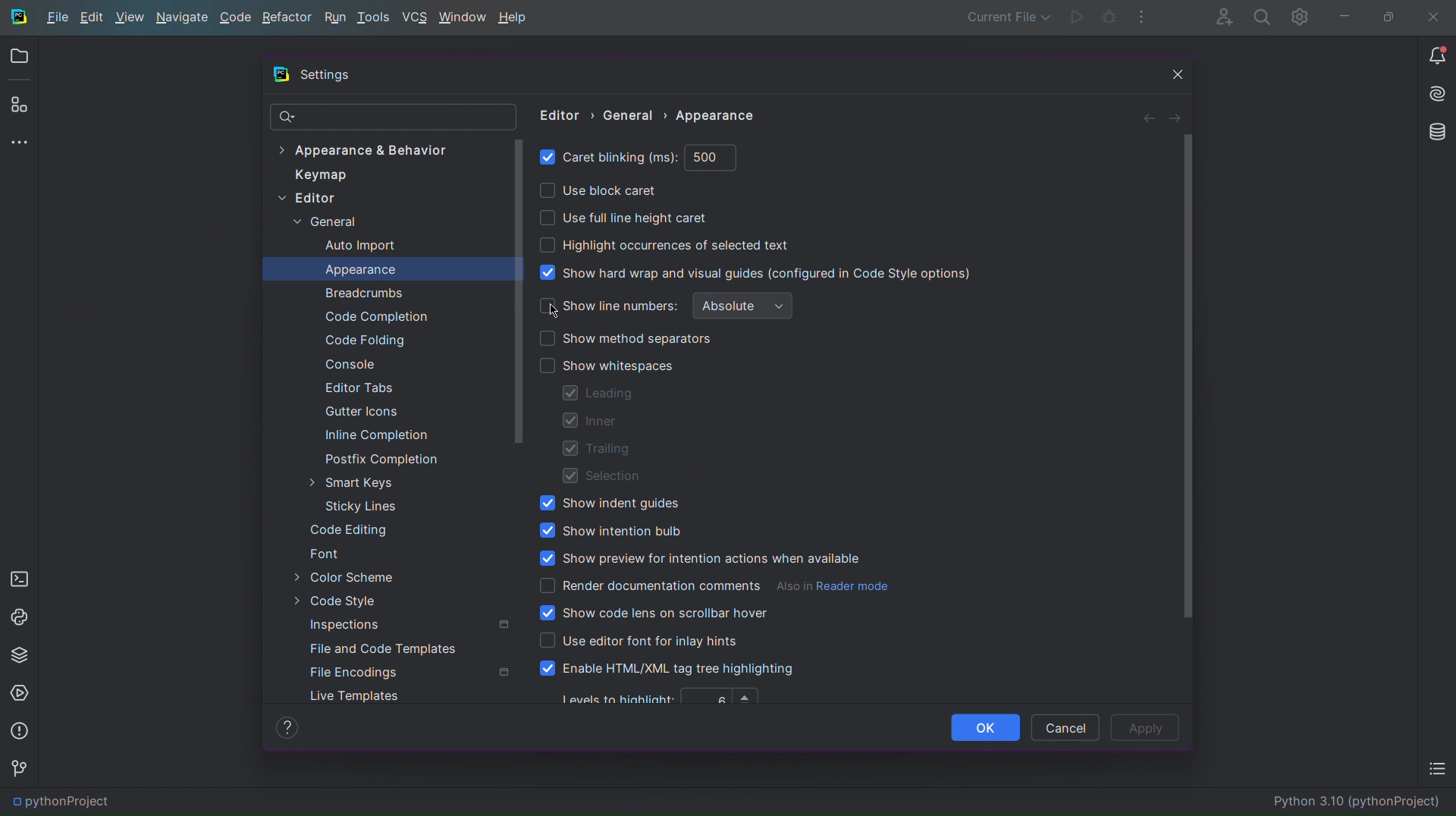 This screenshot has width=1456, height=816. I want to click on Run, so click(1077, 19).